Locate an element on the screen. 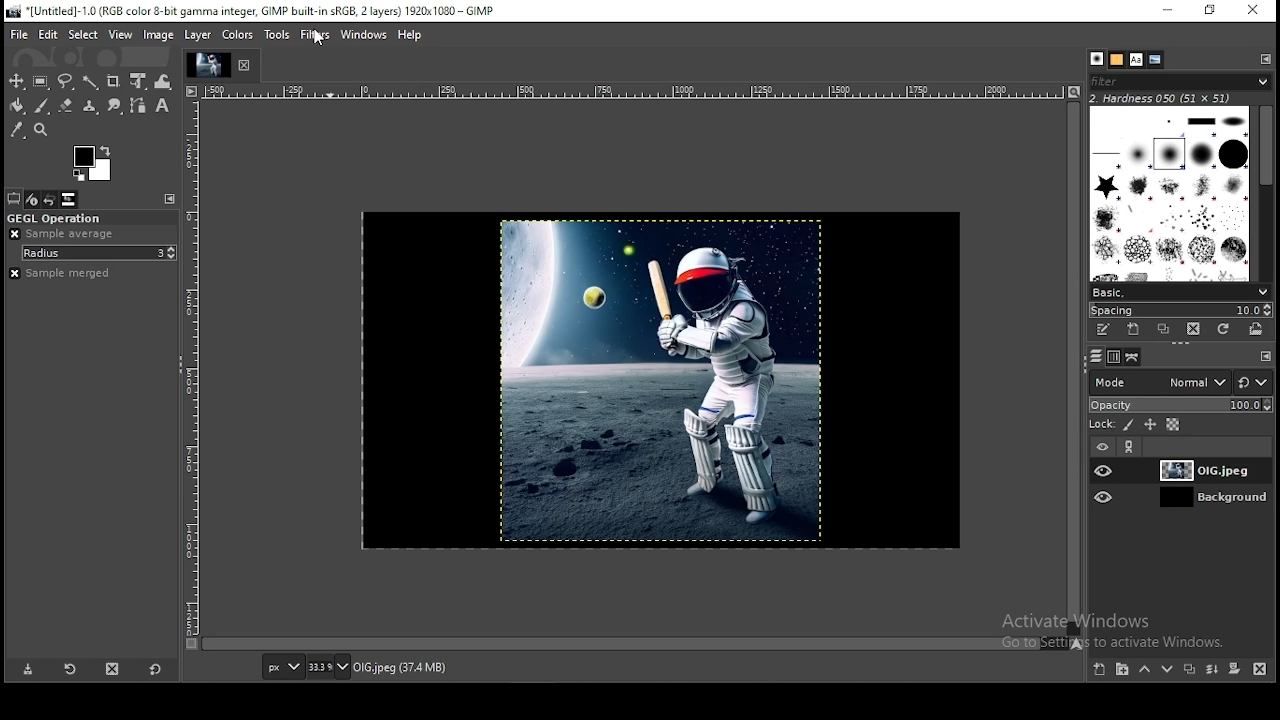 The height and width of the screenshot is (720, 1280). sample average is located at coordinates (64, 234).